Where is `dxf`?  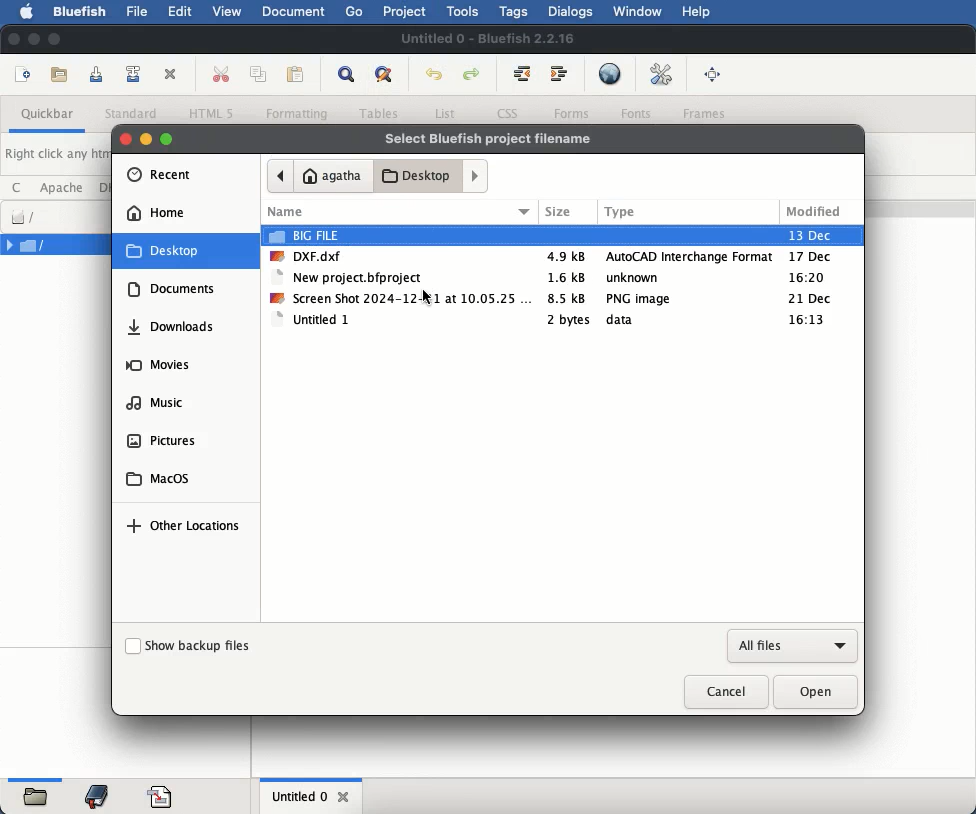
dxf is located at coordinates (309, 255).